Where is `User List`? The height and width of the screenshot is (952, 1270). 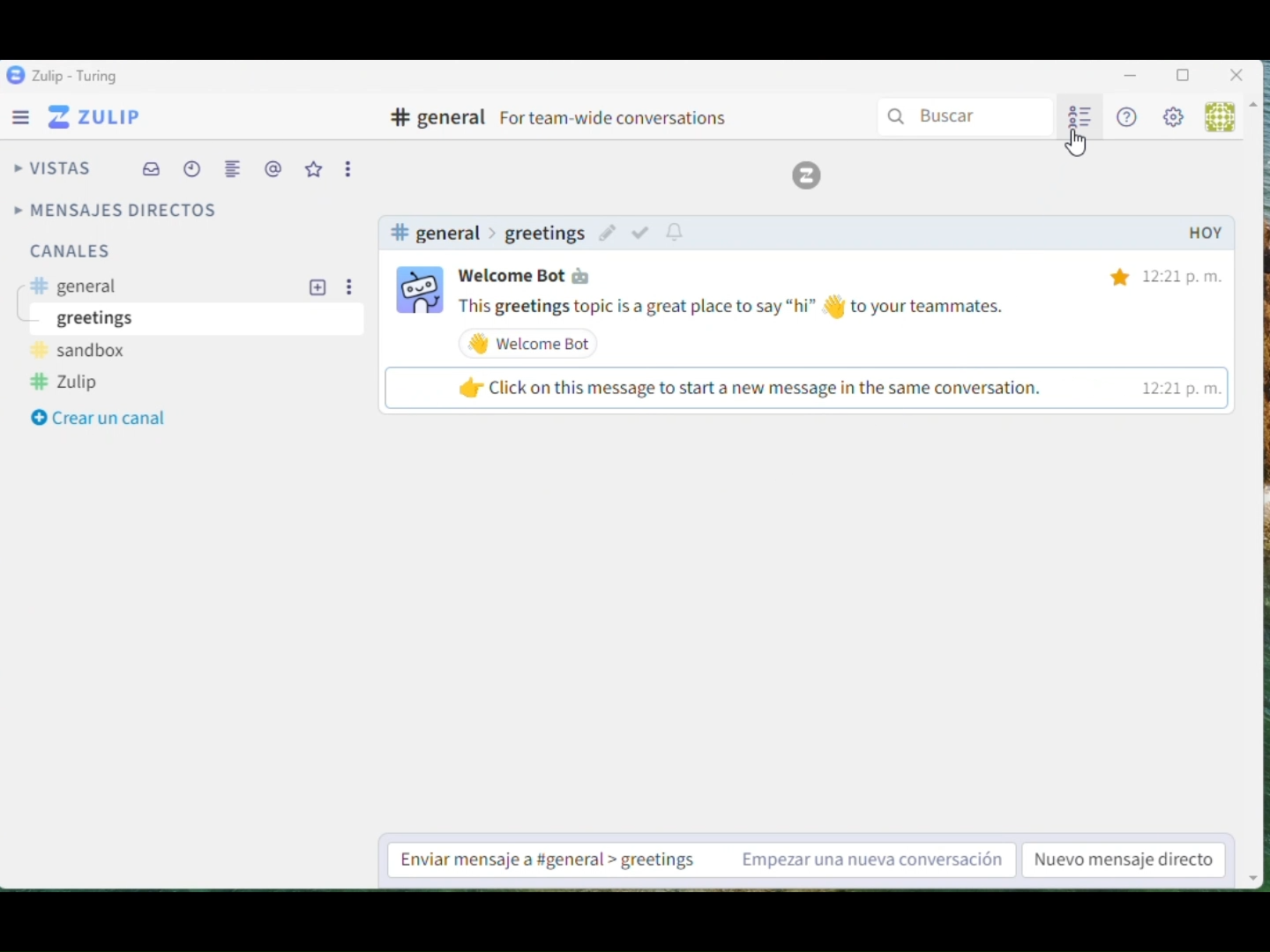
User List is located at coordinates (1076, 117).